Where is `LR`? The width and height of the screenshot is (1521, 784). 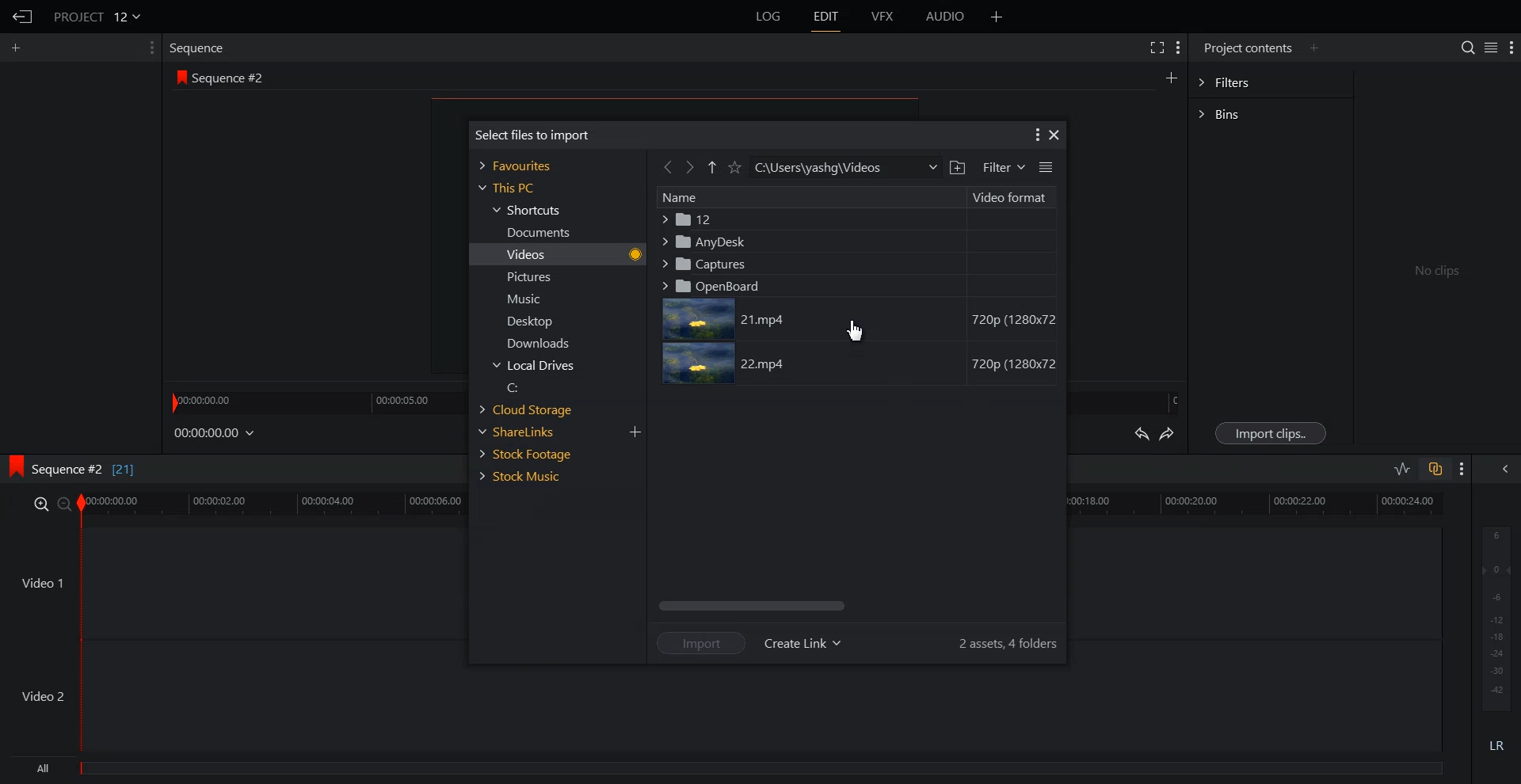
LR is located at coordinates (1497, 745).